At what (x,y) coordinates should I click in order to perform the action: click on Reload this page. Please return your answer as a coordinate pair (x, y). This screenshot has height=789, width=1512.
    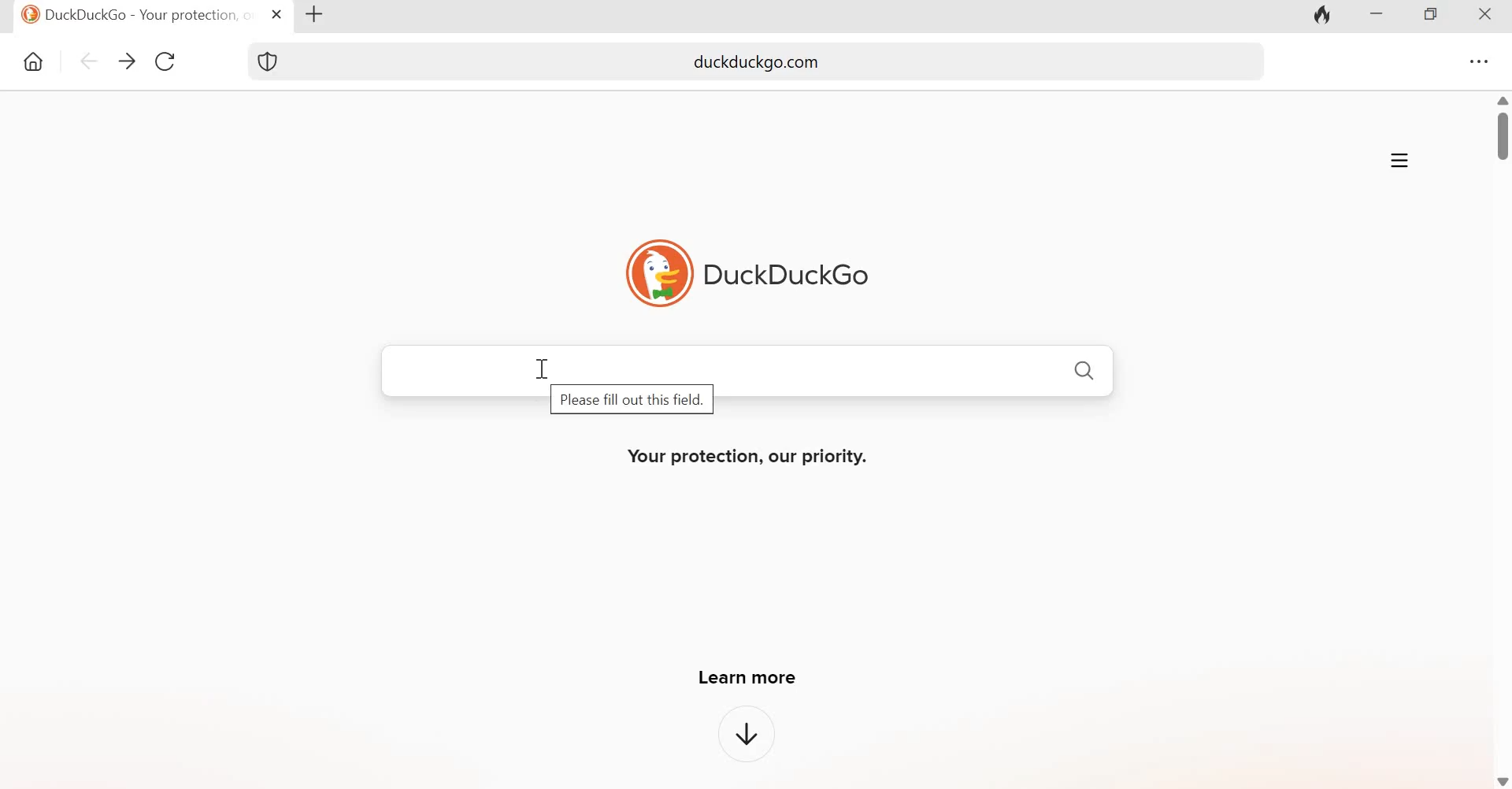
    Looking at the image, I should click on (166, 63).